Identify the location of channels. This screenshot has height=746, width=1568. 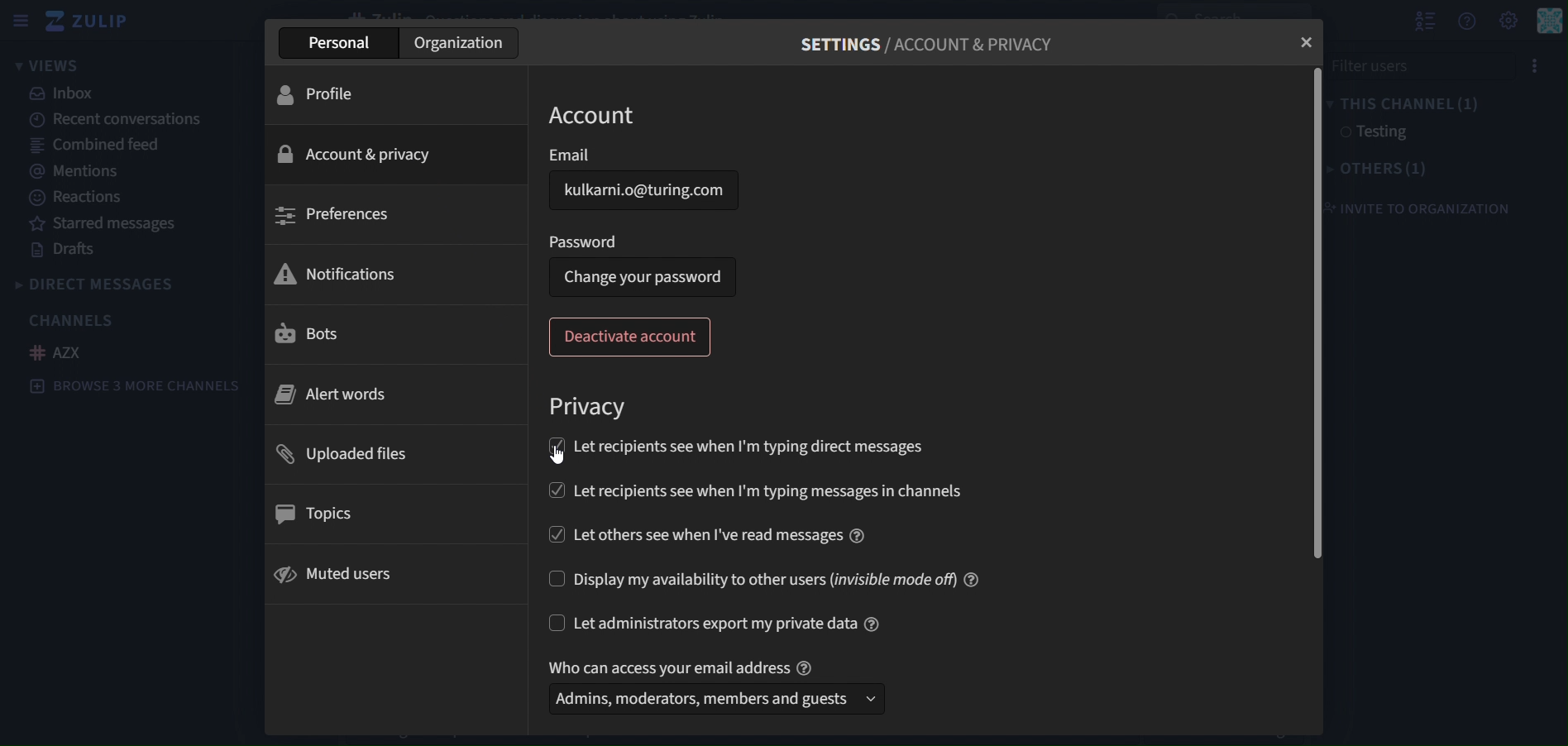
(79, 322).